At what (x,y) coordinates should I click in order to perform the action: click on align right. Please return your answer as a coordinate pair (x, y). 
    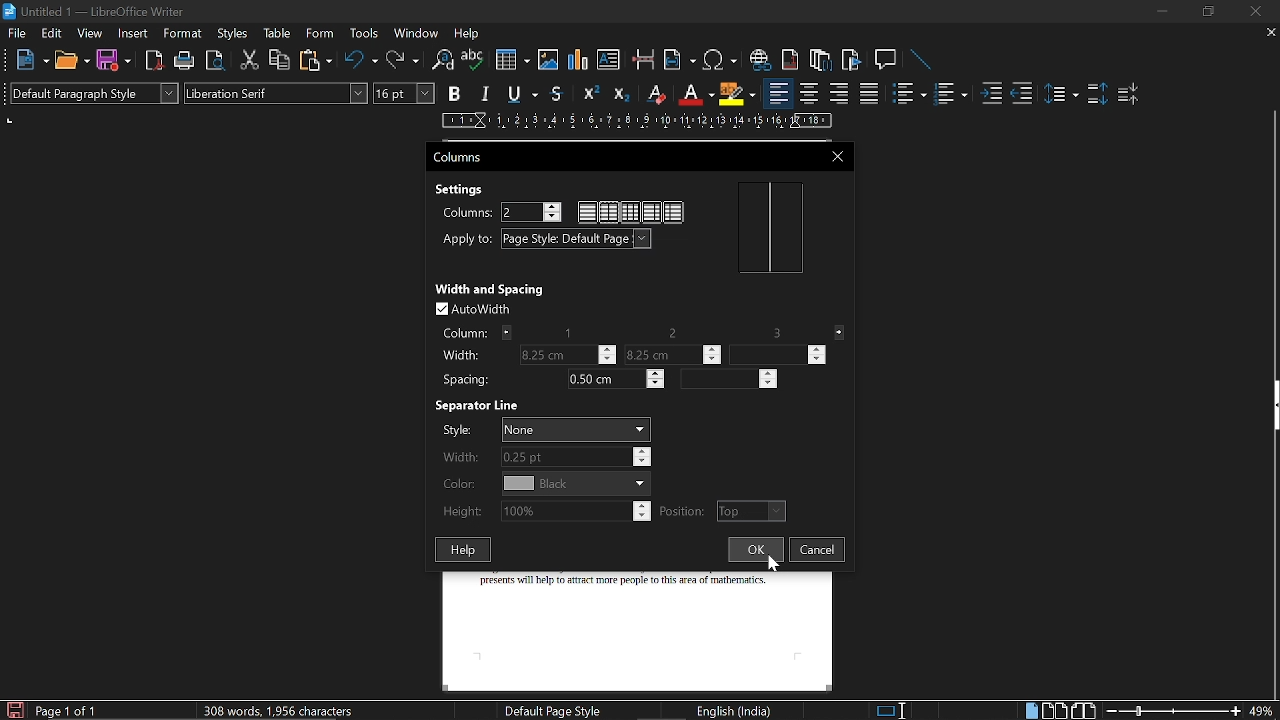
    Looking at the image, I should click on (839, 92).